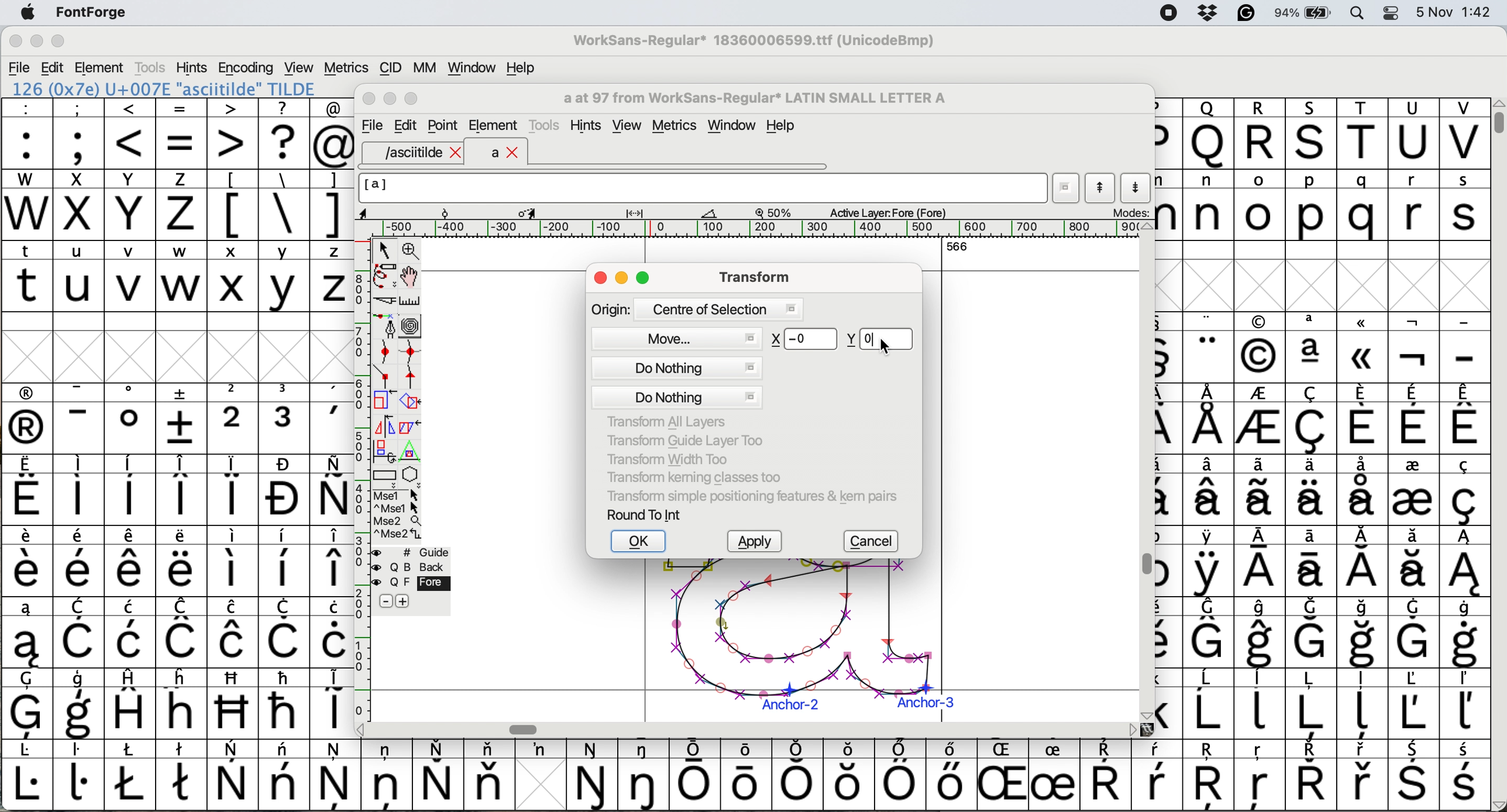 Image resolution: width=1507 pixels, height=812 pixels. I want to click on file, so click(20, 68).